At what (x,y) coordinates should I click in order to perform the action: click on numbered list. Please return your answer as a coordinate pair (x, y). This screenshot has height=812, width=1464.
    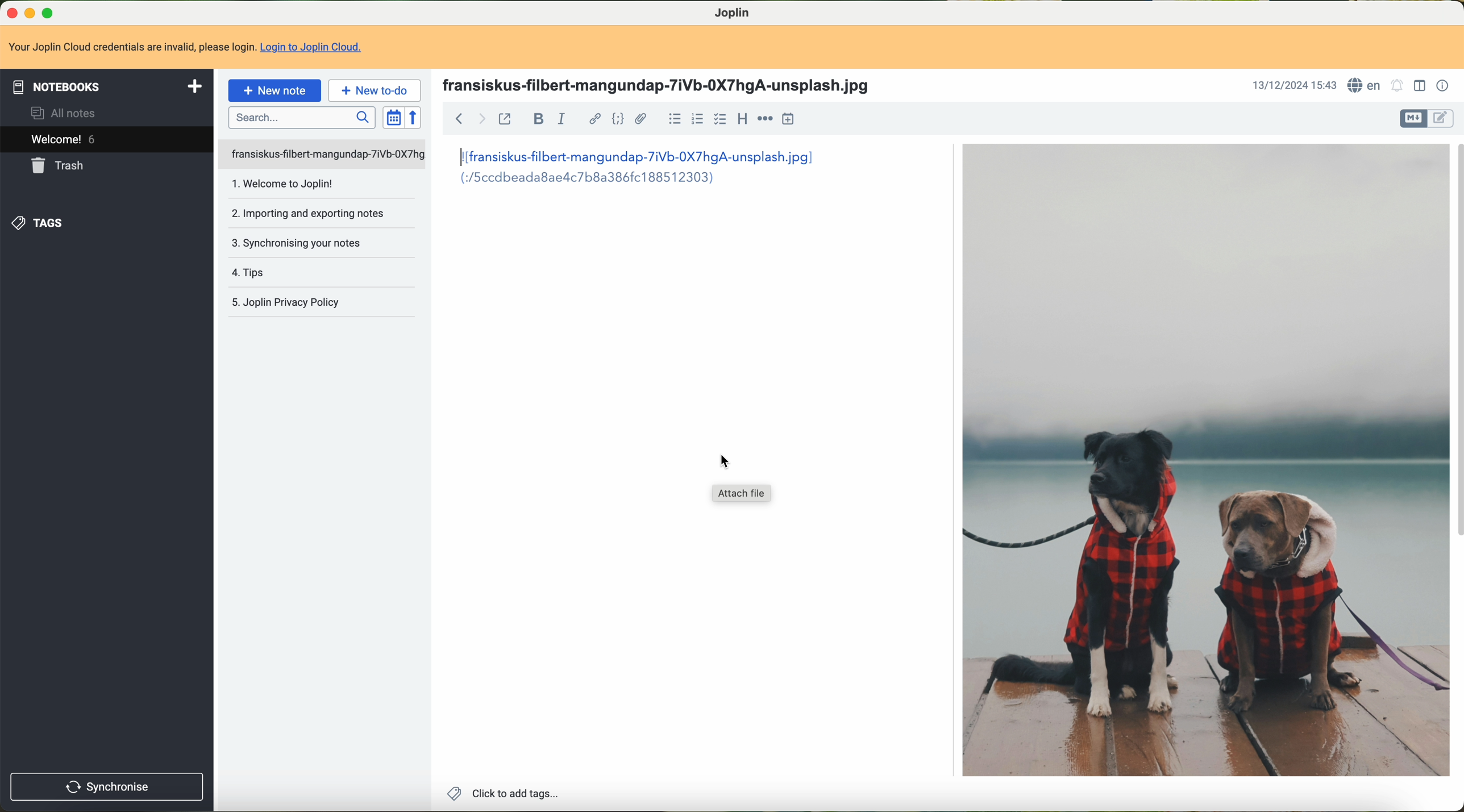
    Looking at the image, I should click on (698, 120).